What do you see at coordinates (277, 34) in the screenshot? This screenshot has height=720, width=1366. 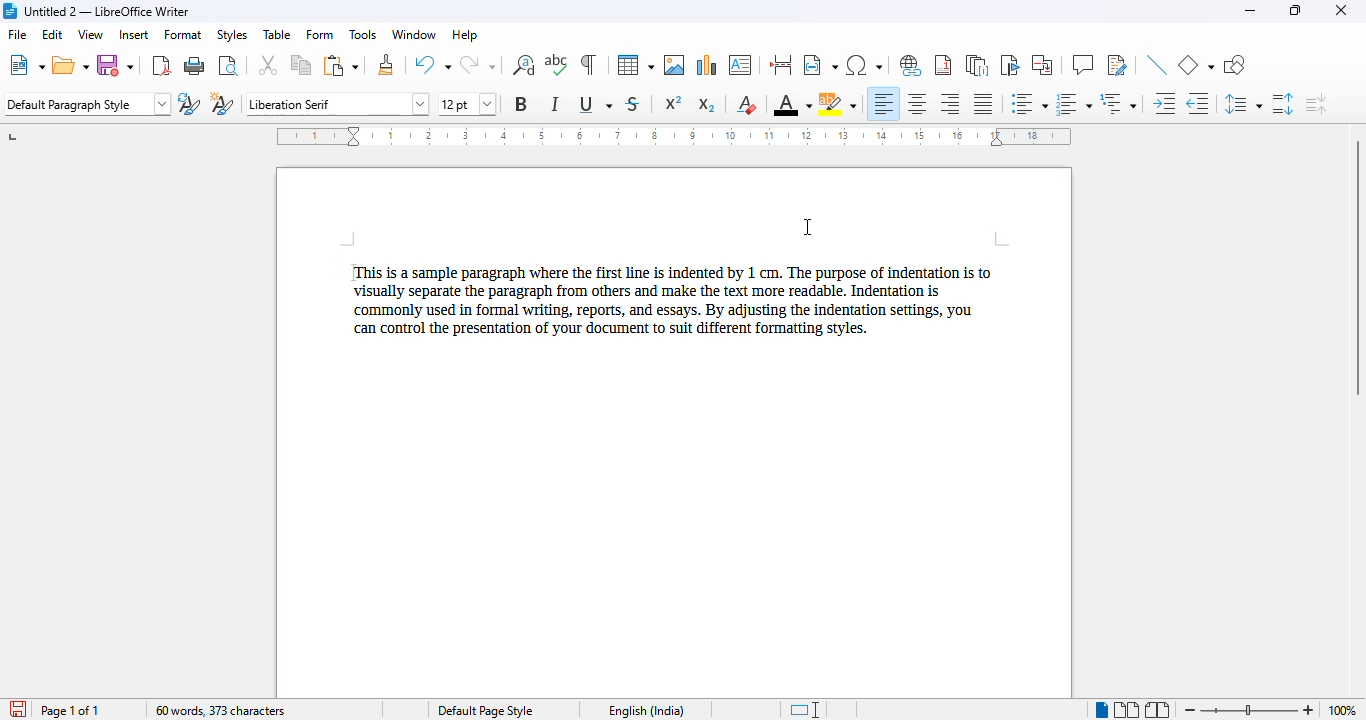 I see `table` at bounding box center [277, 34].